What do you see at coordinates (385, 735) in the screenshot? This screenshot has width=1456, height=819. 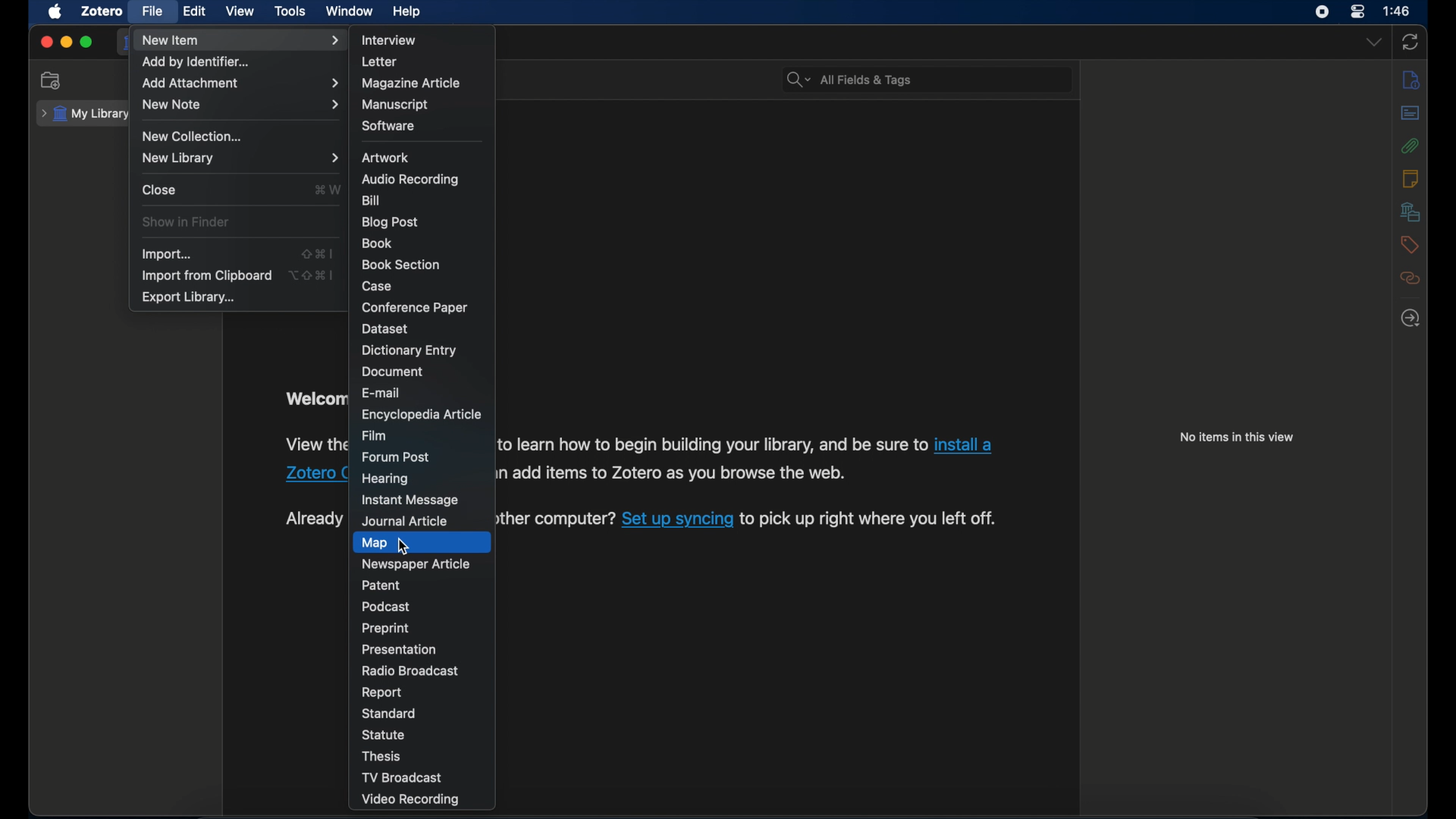 I see `statue` at bounding box center [385, 735].